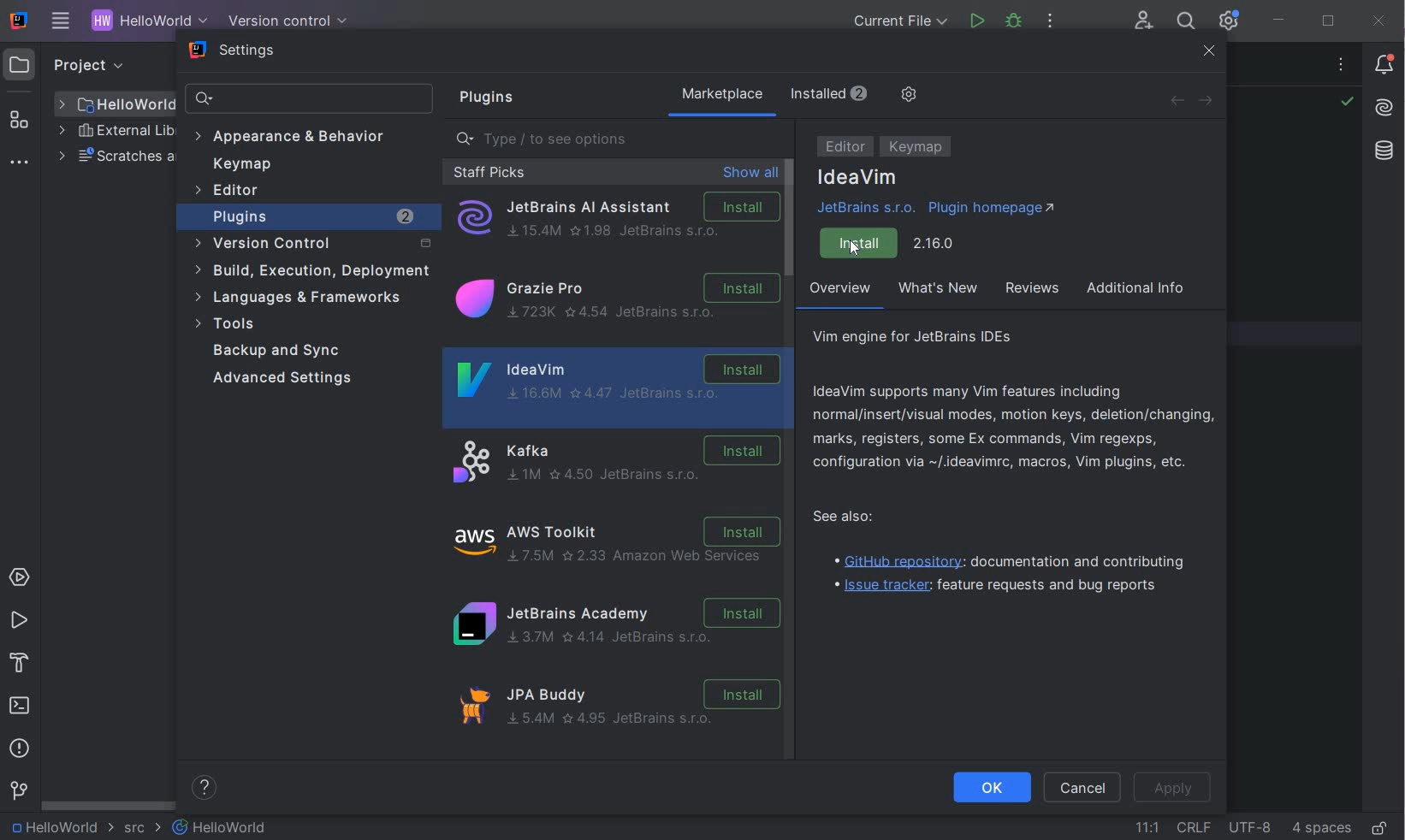 The width and height of the screenshot is (1405, 840). I want to click on Grazier Pro Installation, so click(614, 301).